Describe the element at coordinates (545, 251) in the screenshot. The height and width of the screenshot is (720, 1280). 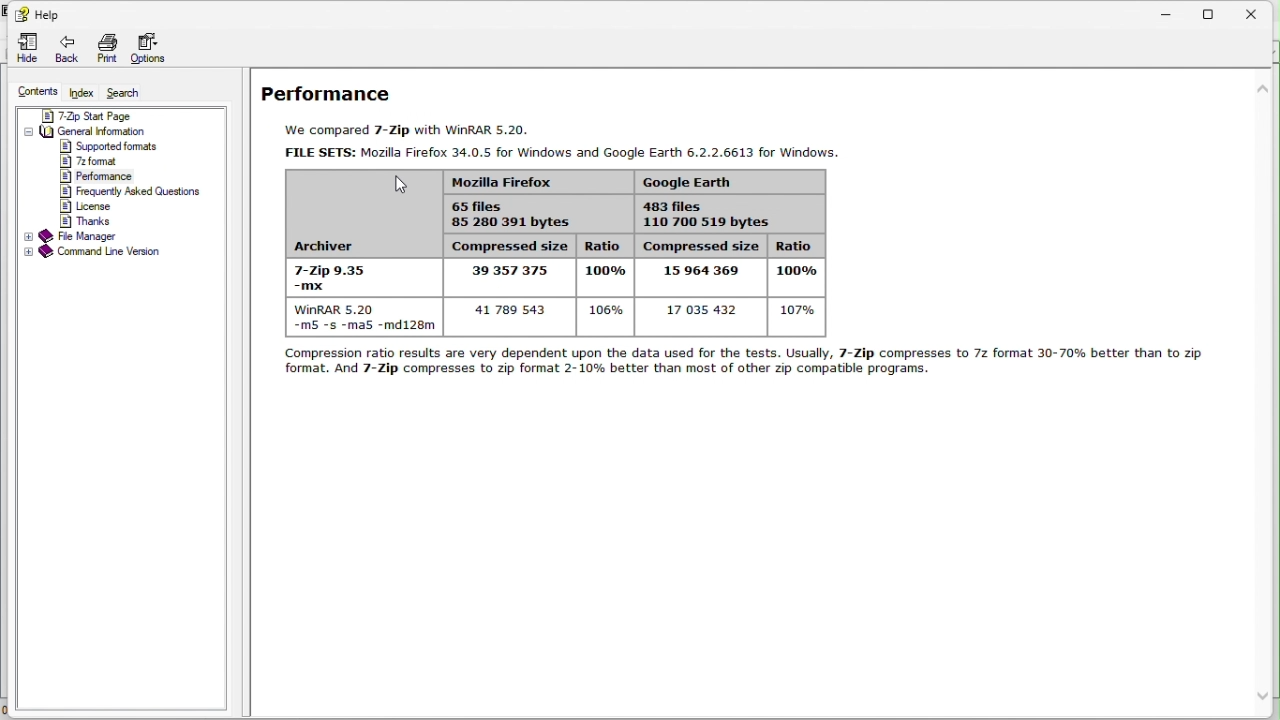
I see `Google Earth
65 files 483 files
85 280 391 bytes 110 700 519 bytes
[compressed sca wate | compressed sce mato
[Zee | sma aw] sss | oe
~m5 -s -mas -md128m` at that location.